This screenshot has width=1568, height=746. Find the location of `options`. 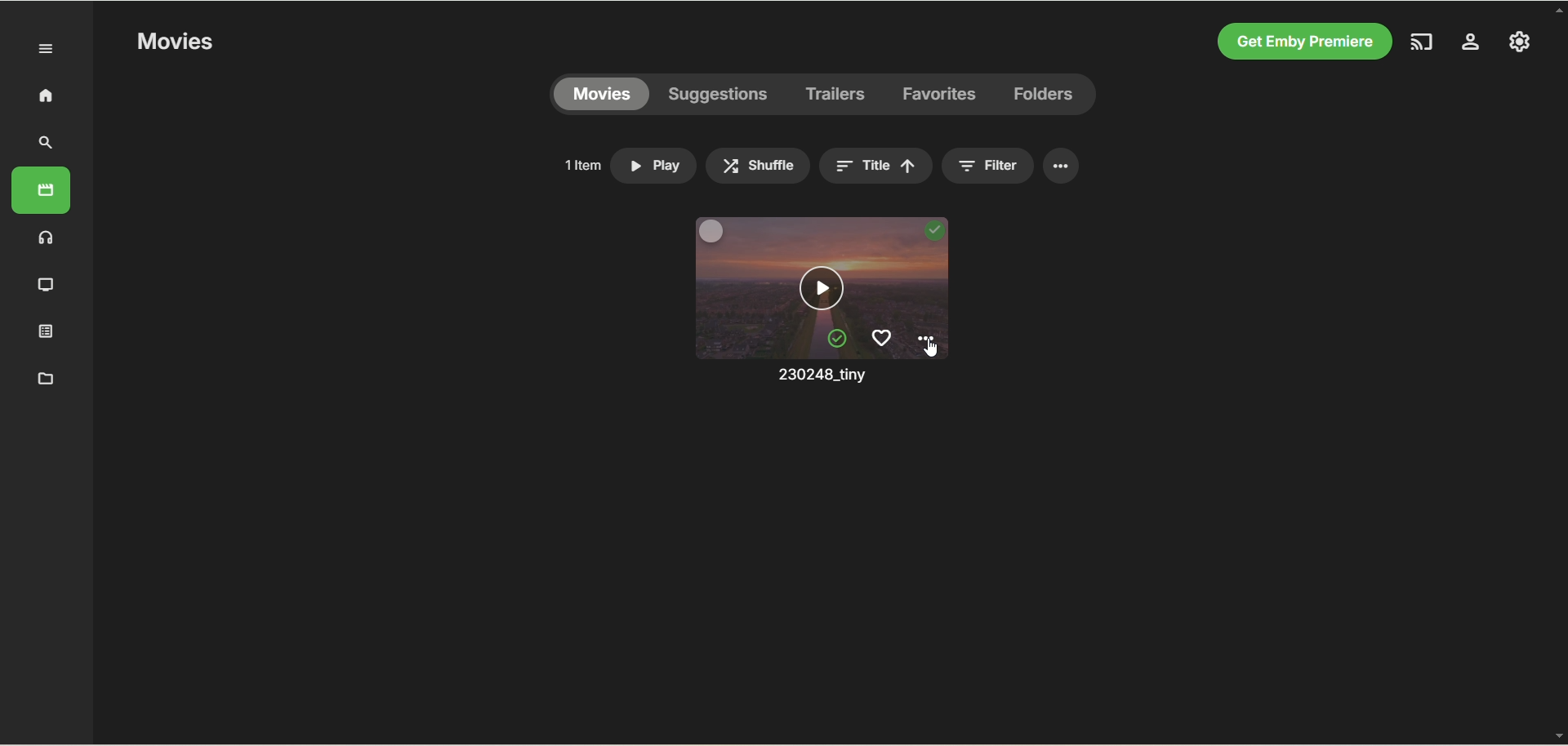

options is located at coordinates (1061, 166).